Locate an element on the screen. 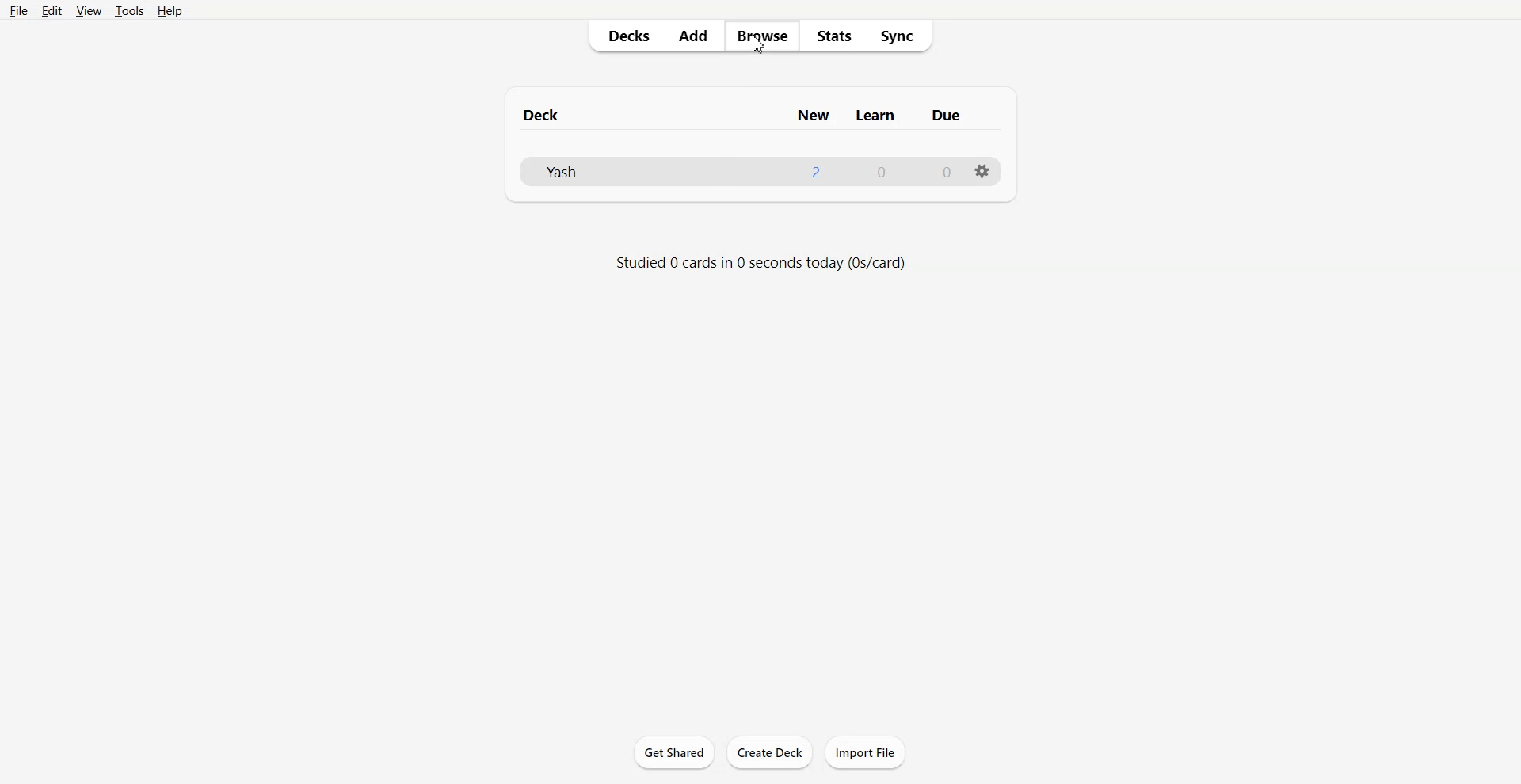 This screenshot has height=784, width=1521. Stats is located at coordinates (833, 36).